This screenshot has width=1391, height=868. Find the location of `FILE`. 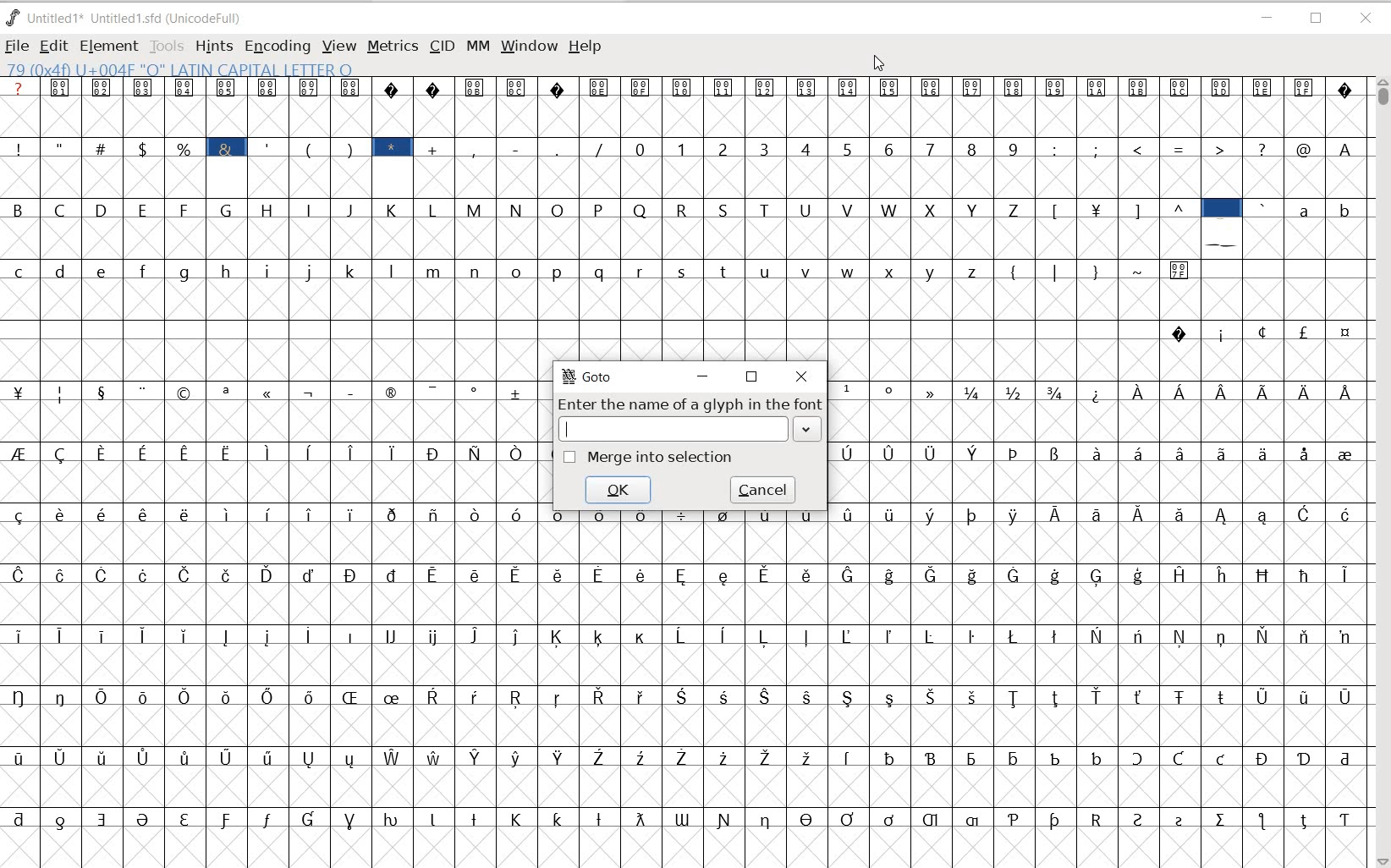

FILE is located at coordinates (16, 47).